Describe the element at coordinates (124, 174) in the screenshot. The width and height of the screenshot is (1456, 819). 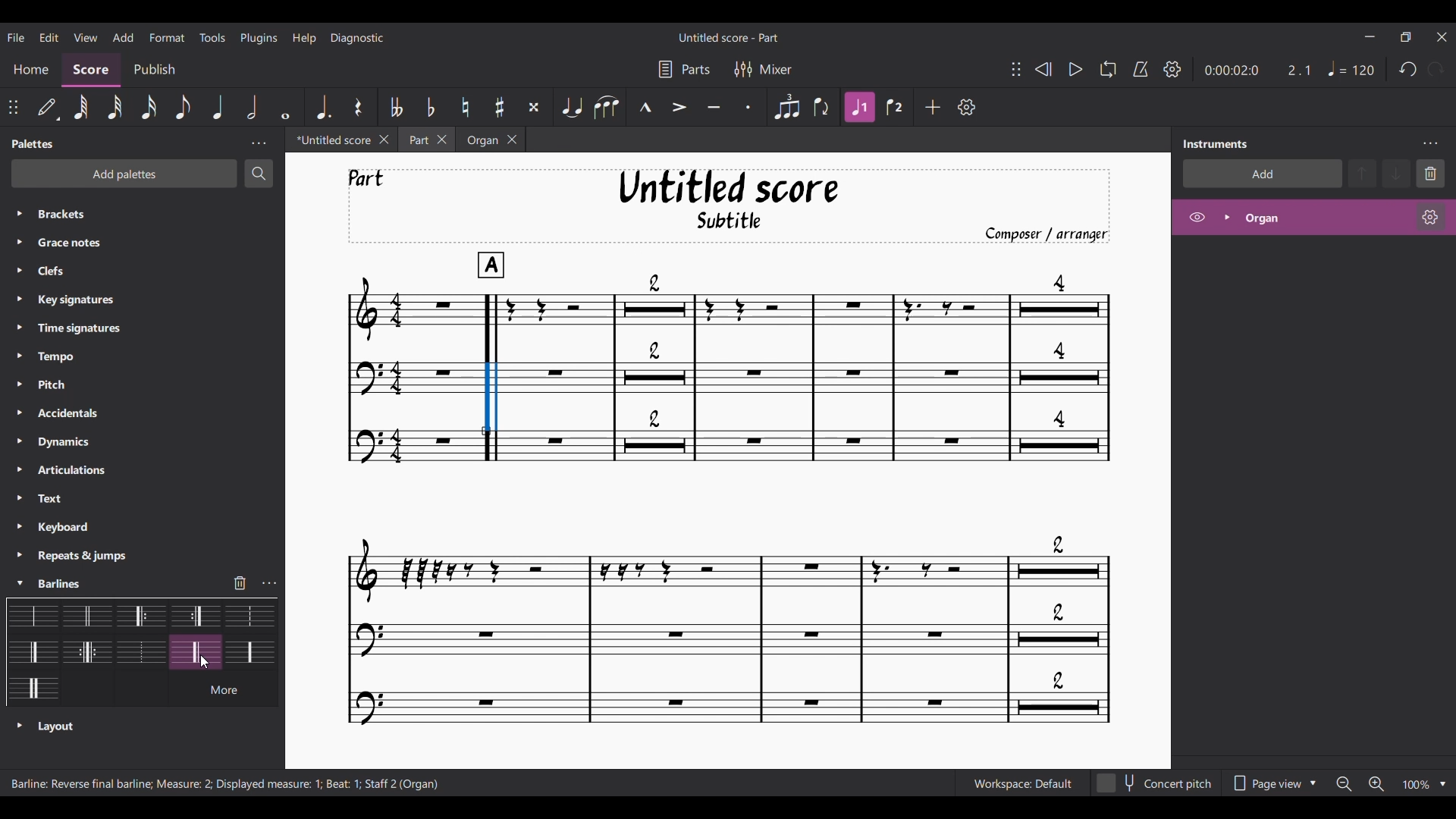
I see `Add palette` at that location.